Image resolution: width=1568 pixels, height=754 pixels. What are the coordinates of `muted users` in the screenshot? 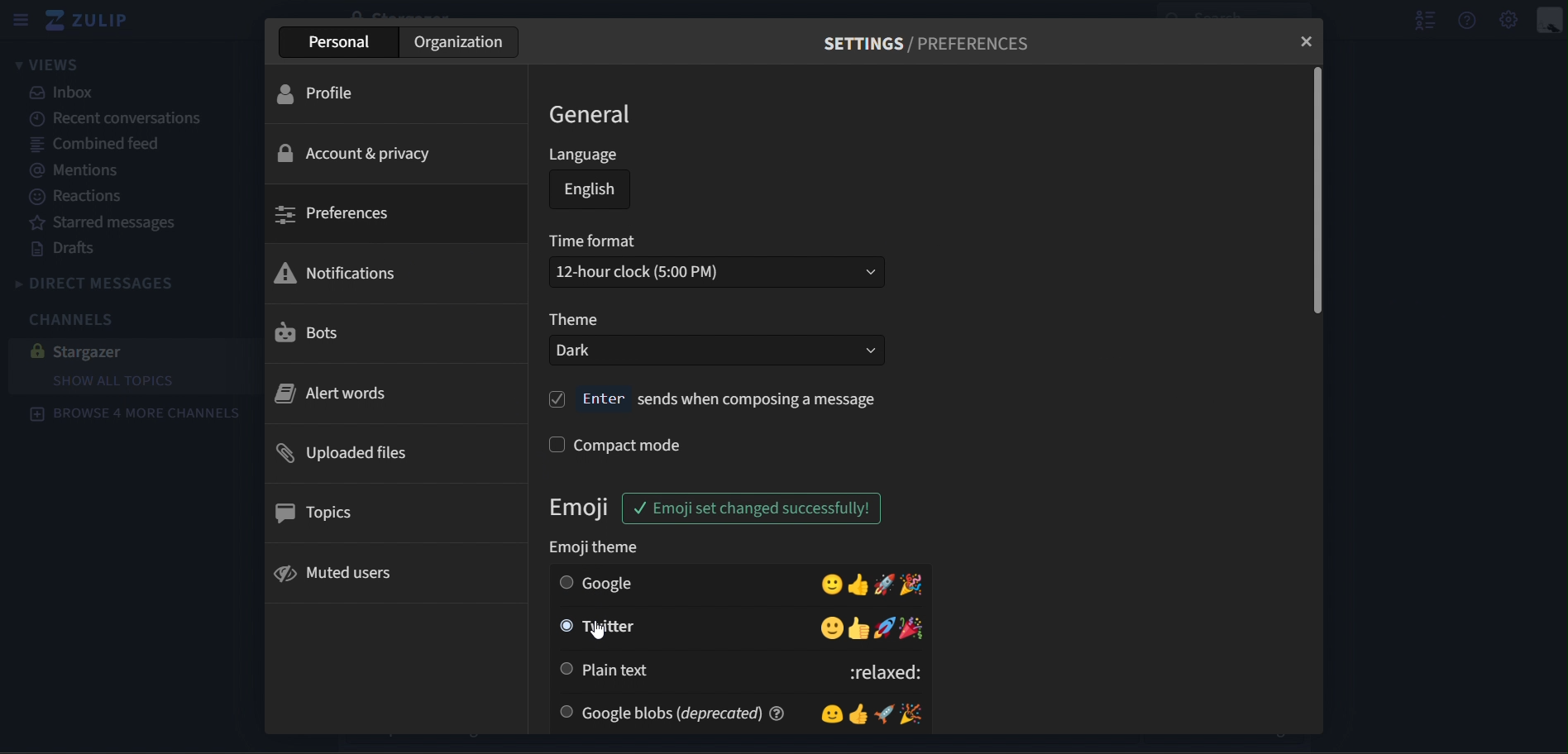 It's located at (336, 573).